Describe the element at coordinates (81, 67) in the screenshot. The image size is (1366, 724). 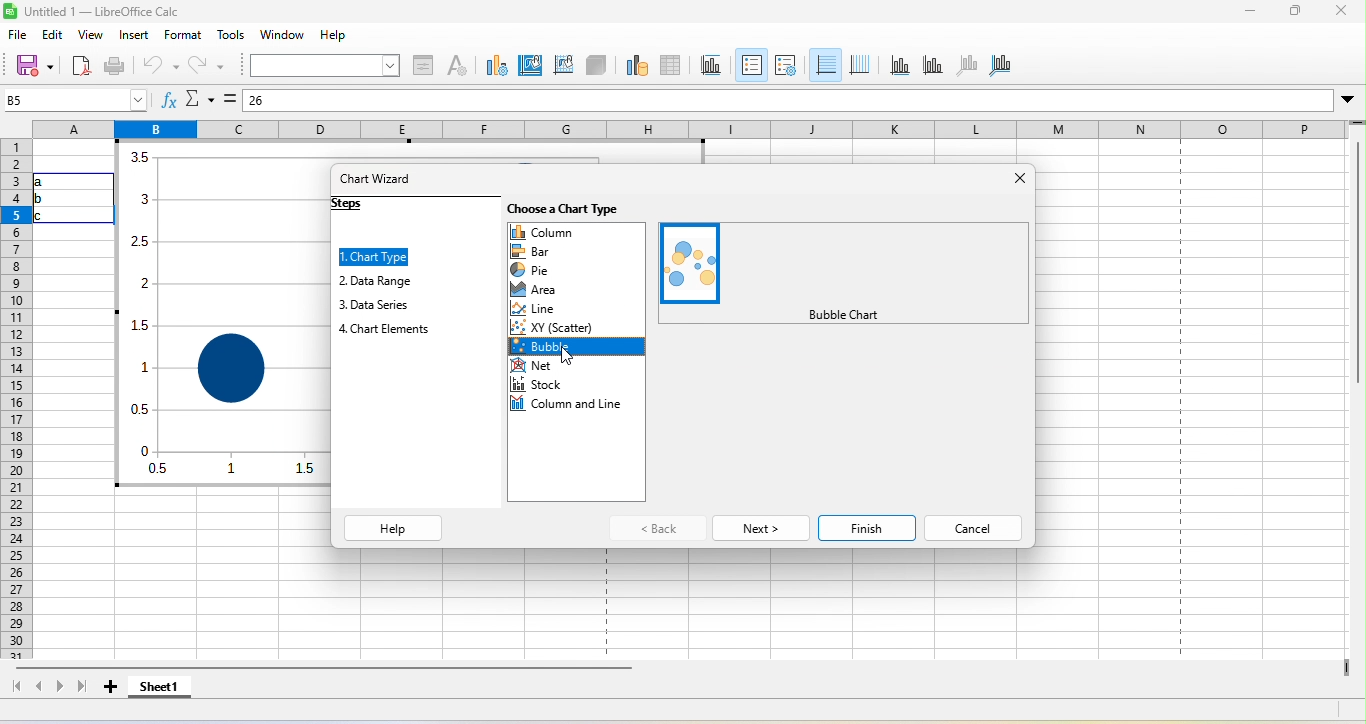
I see `export directly as pf` at that location.